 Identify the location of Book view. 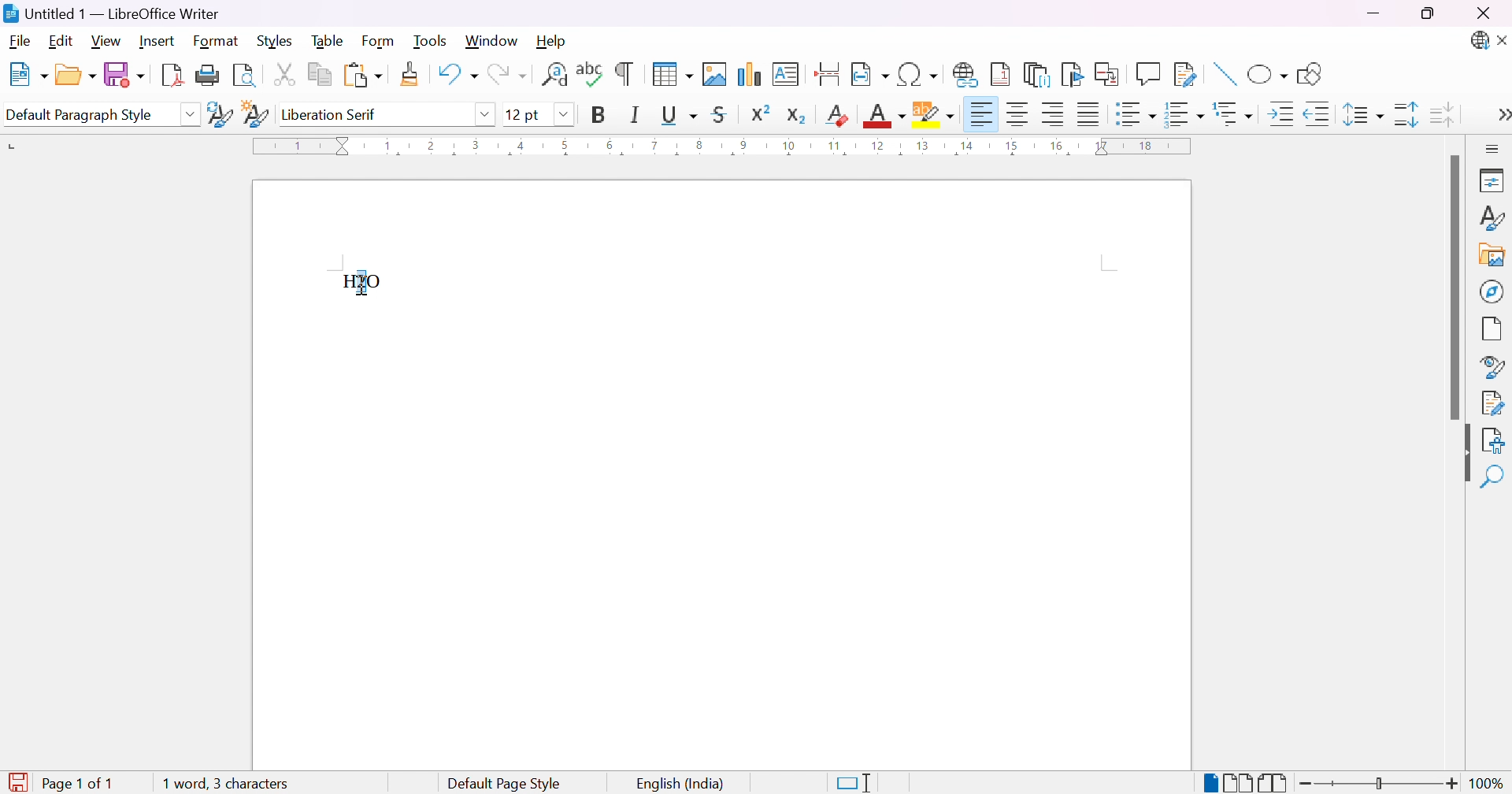
(1273, 783).